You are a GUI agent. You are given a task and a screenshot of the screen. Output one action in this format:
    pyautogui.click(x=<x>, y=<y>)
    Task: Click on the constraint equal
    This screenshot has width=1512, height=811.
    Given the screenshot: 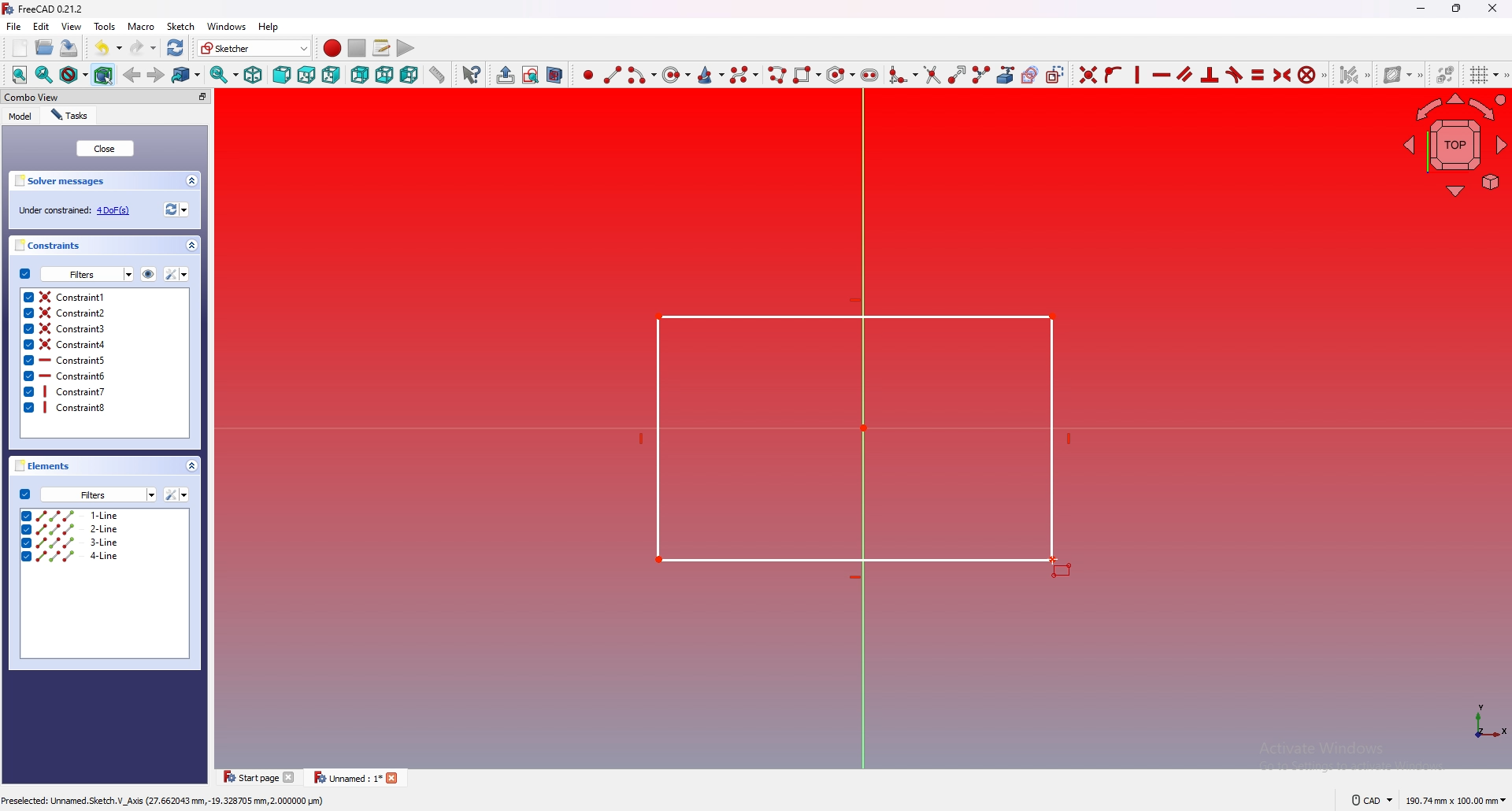 What is the action you would take?
    pyautogui.click(x=1258, y=76)
    